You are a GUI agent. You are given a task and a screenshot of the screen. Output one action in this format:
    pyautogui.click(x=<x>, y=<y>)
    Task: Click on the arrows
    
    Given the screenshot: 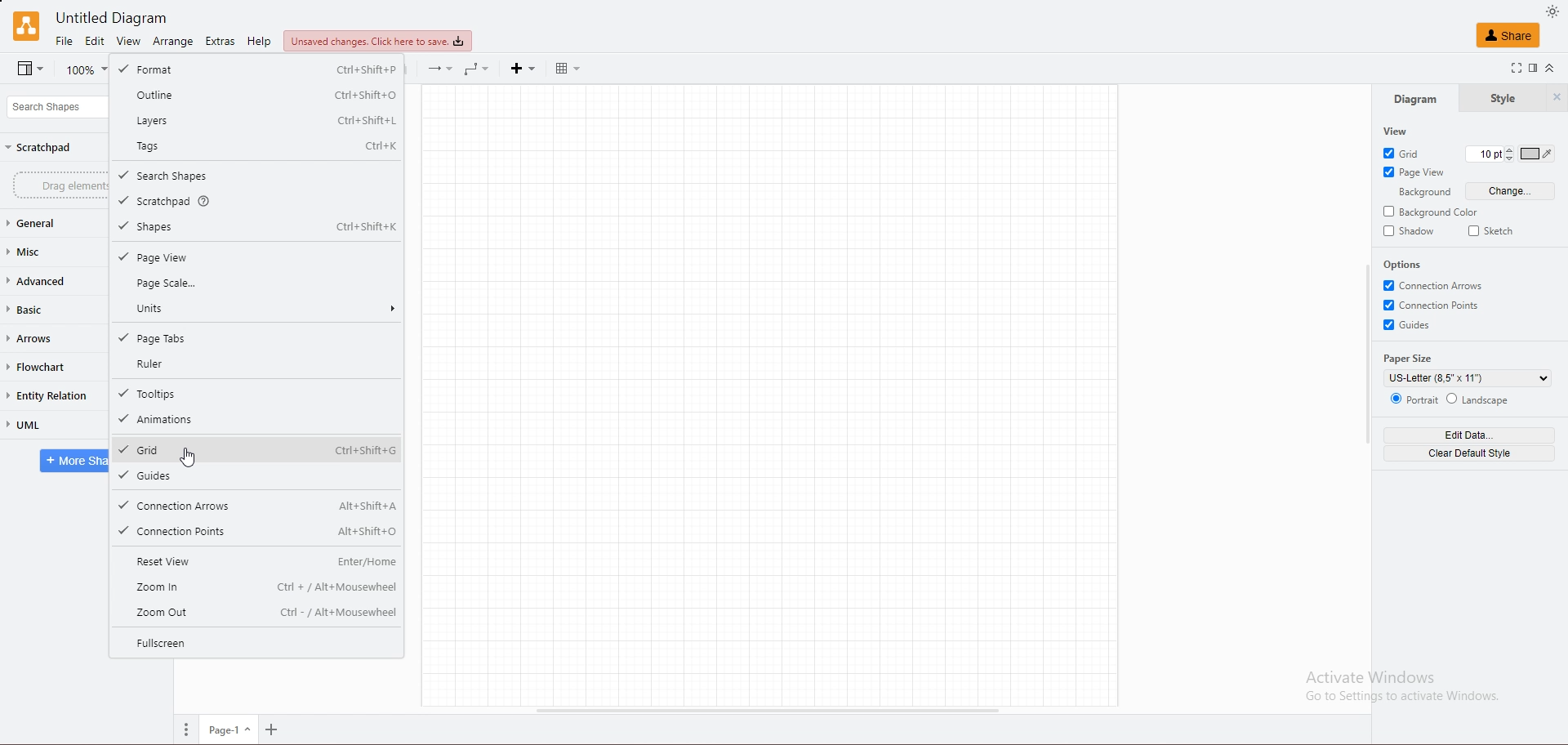 What is the action you would take?
    pyautogui.click(x=52, y=337)
    